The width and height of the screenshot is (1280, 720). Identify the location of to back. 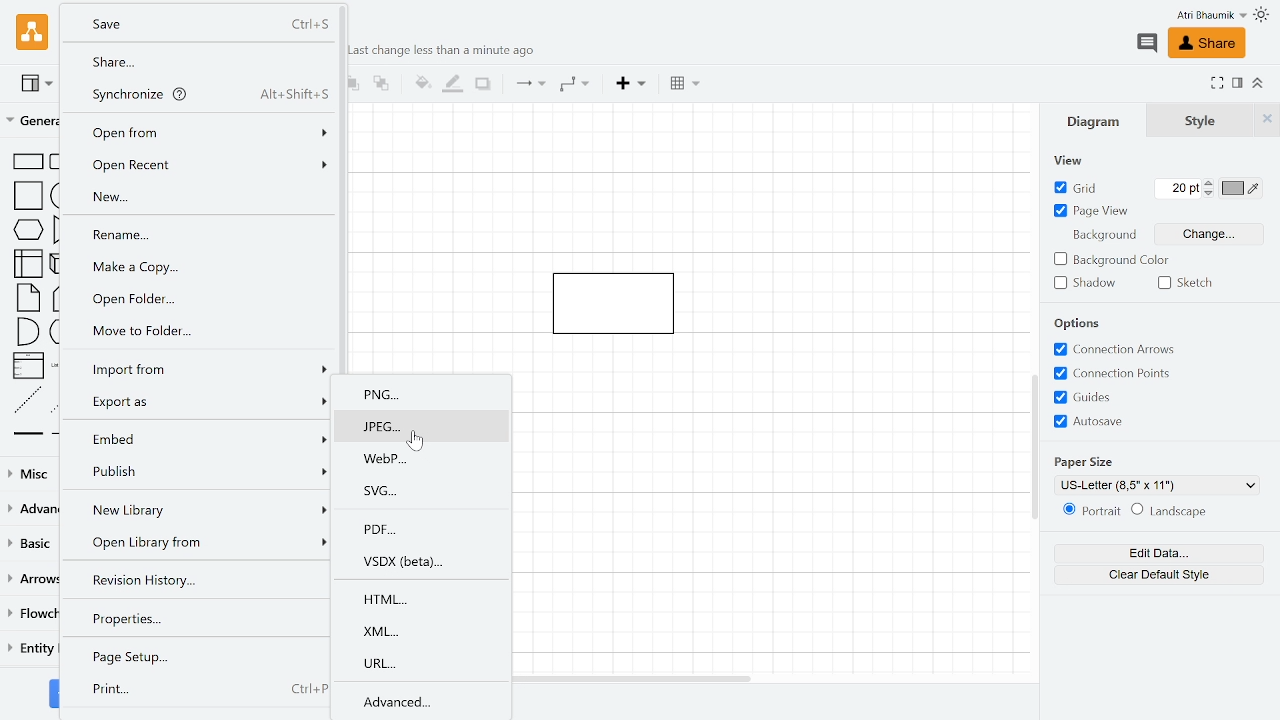
(381, 86).